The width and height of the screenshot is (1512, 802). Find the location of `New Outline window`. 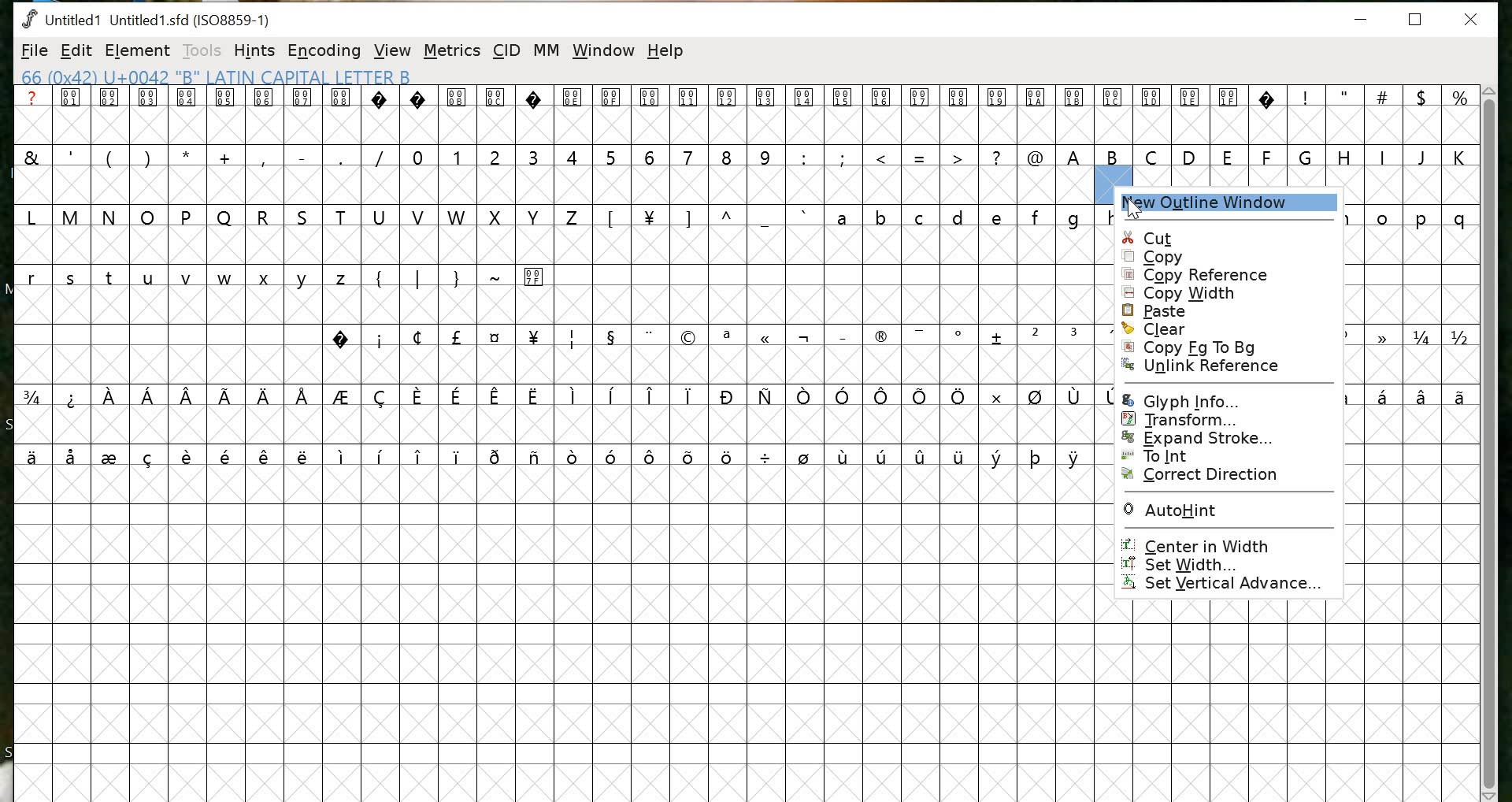

New Outline window is located at coordinates (1219, 202).